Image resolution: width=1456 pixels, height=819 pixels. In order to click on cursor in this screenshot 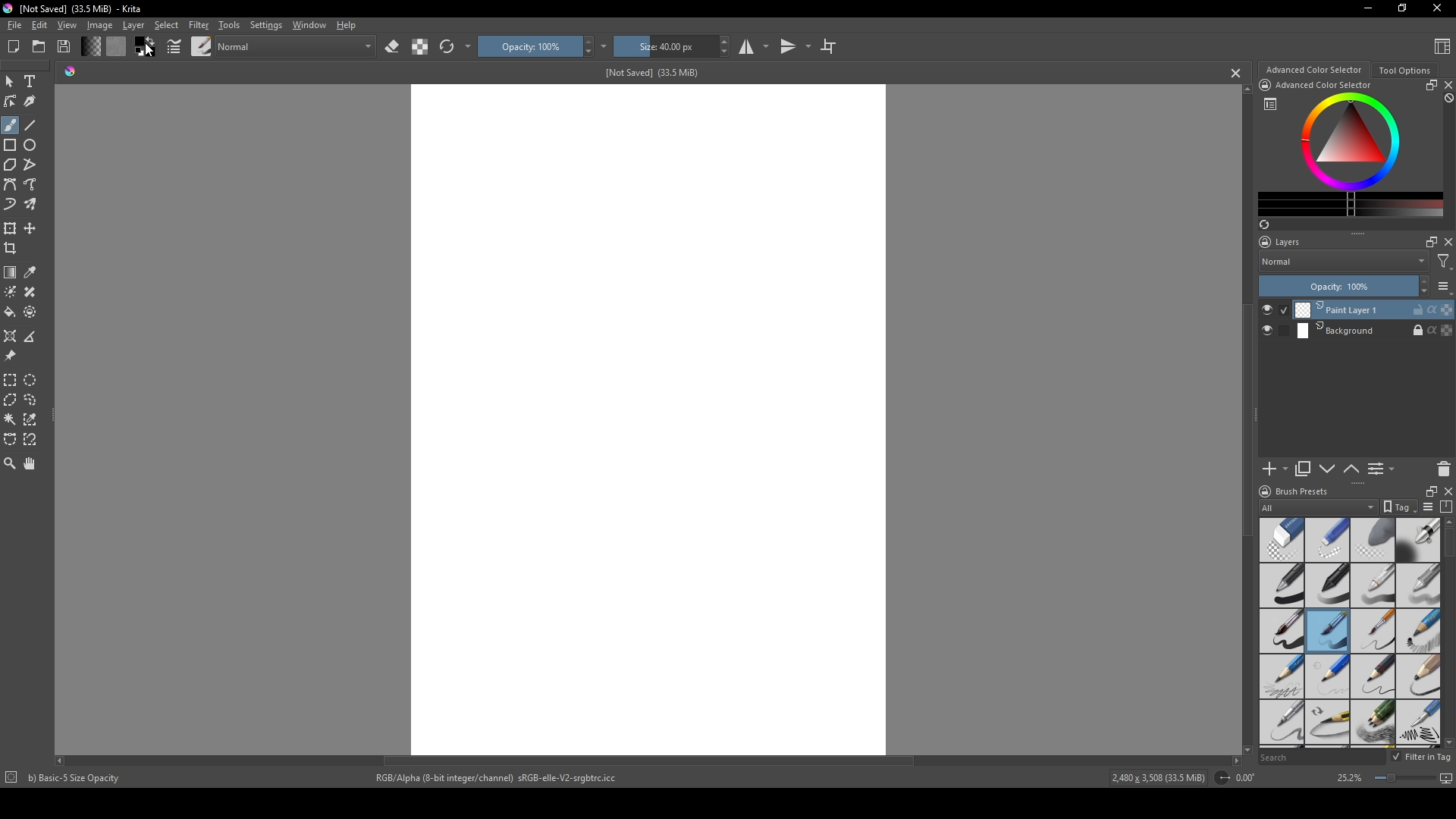, I will do `click(150, 51)`.